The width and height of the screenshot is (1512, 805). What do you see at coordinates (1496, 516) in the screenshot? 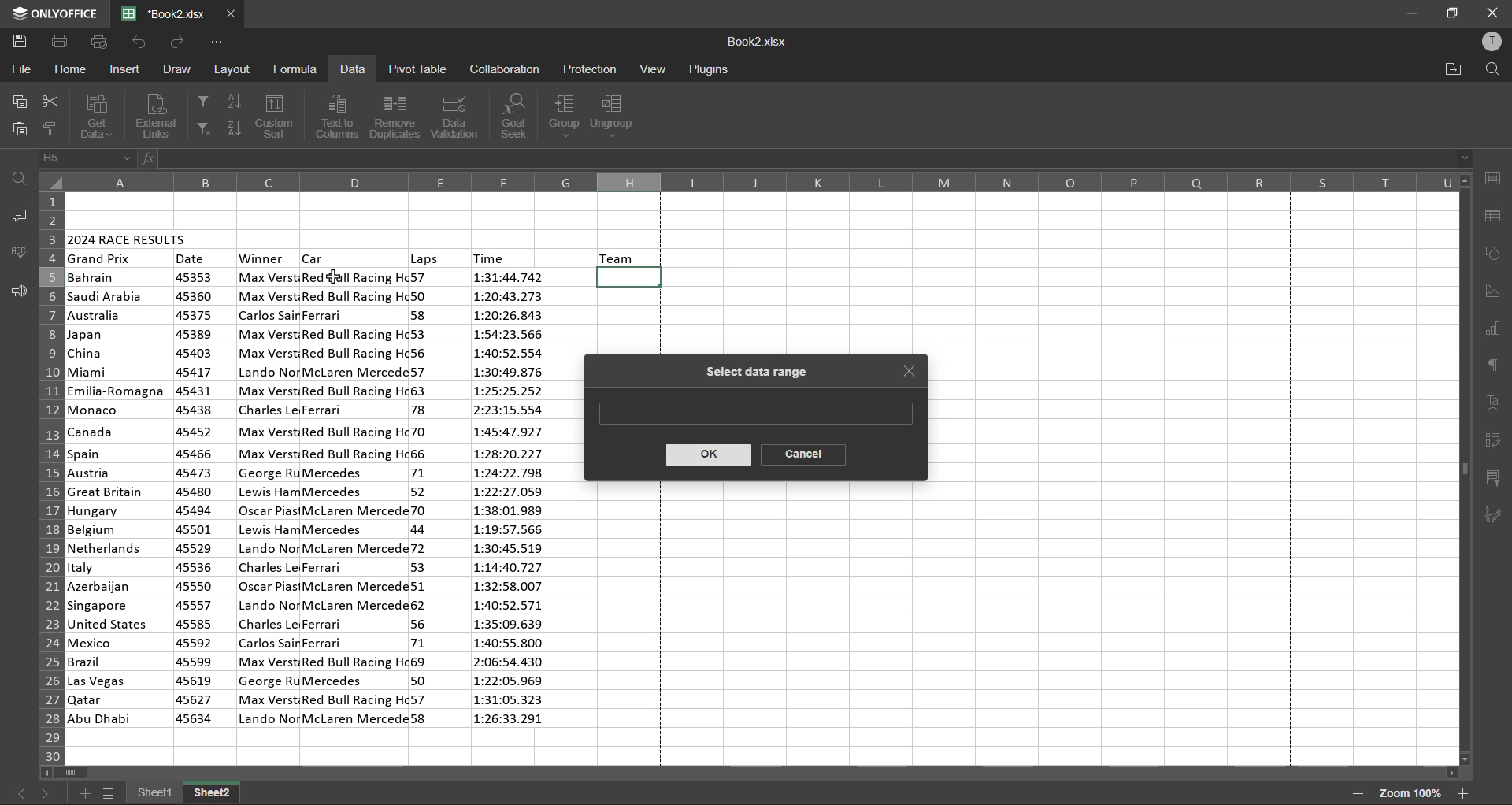
I see `signature` at bounding box center [1496, 516].